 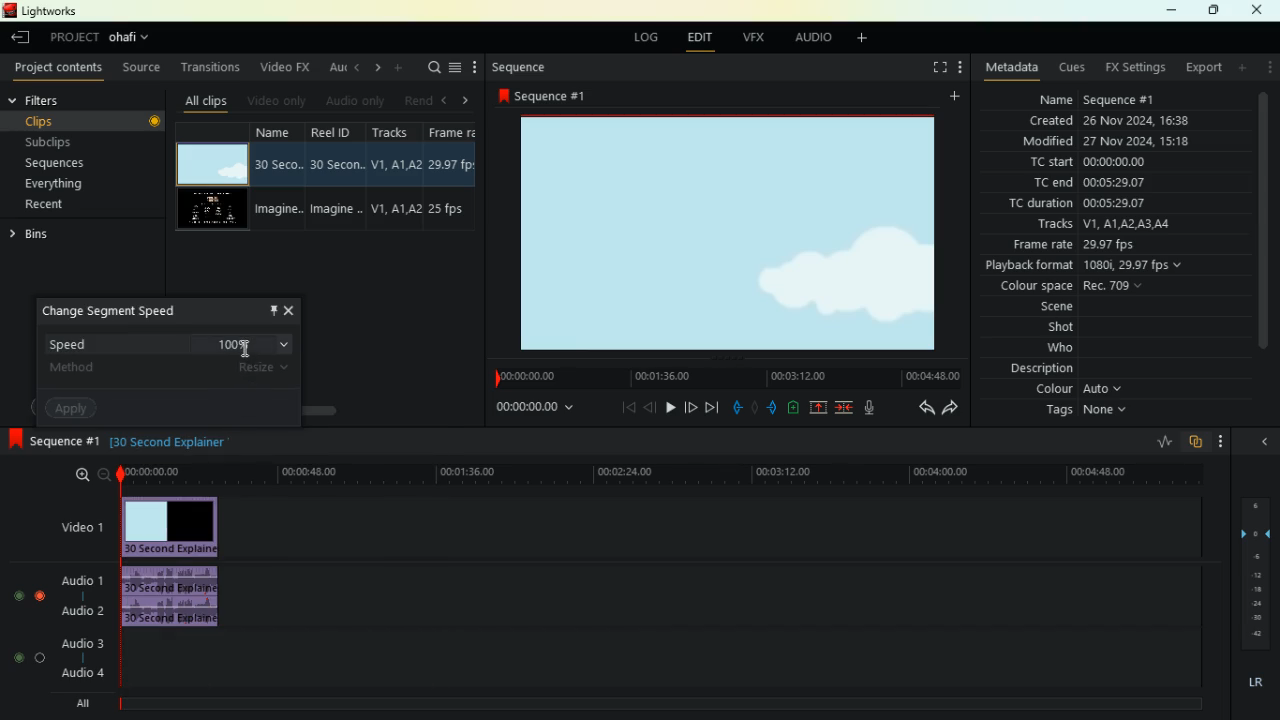 I want to click on all clips, so click(x=210, y=101).